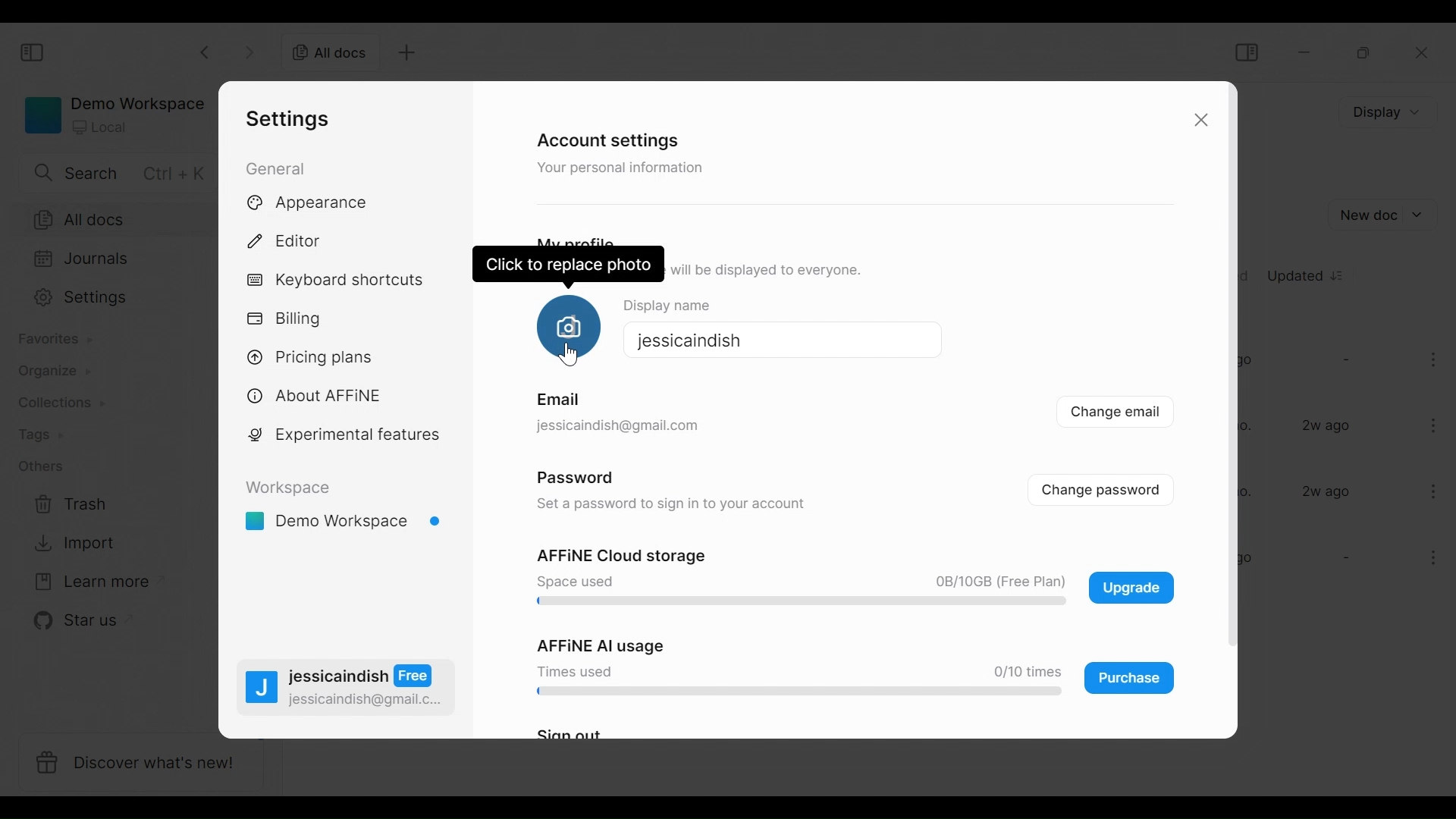 The height and width of the screenshot is (819, 1456). What do you see at coordinates (679, 303) in the screenshot?
I see `Display name` at bounding box center [679, 303].